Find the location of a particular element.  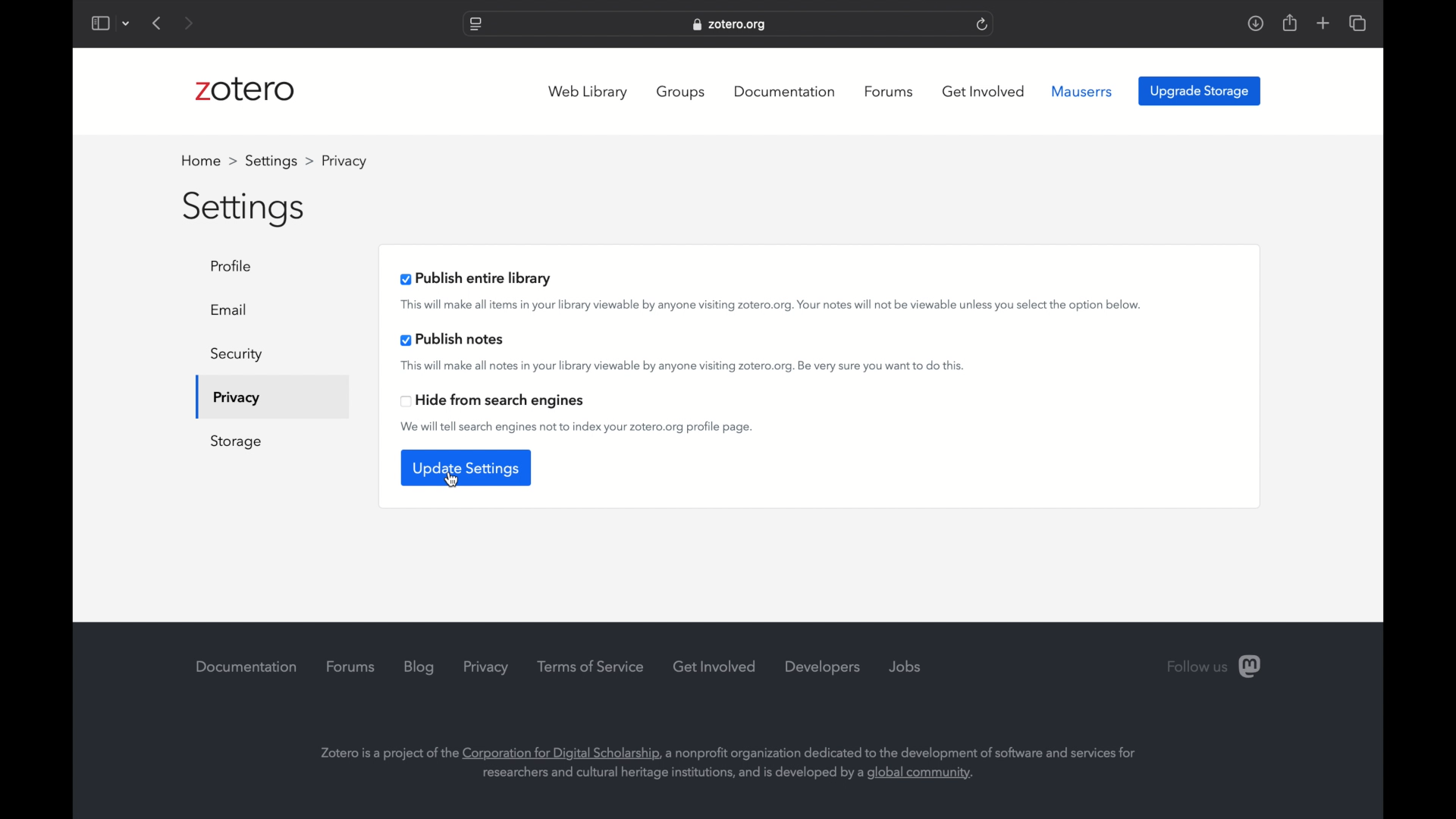

previous is located at coordinates (158, 23).